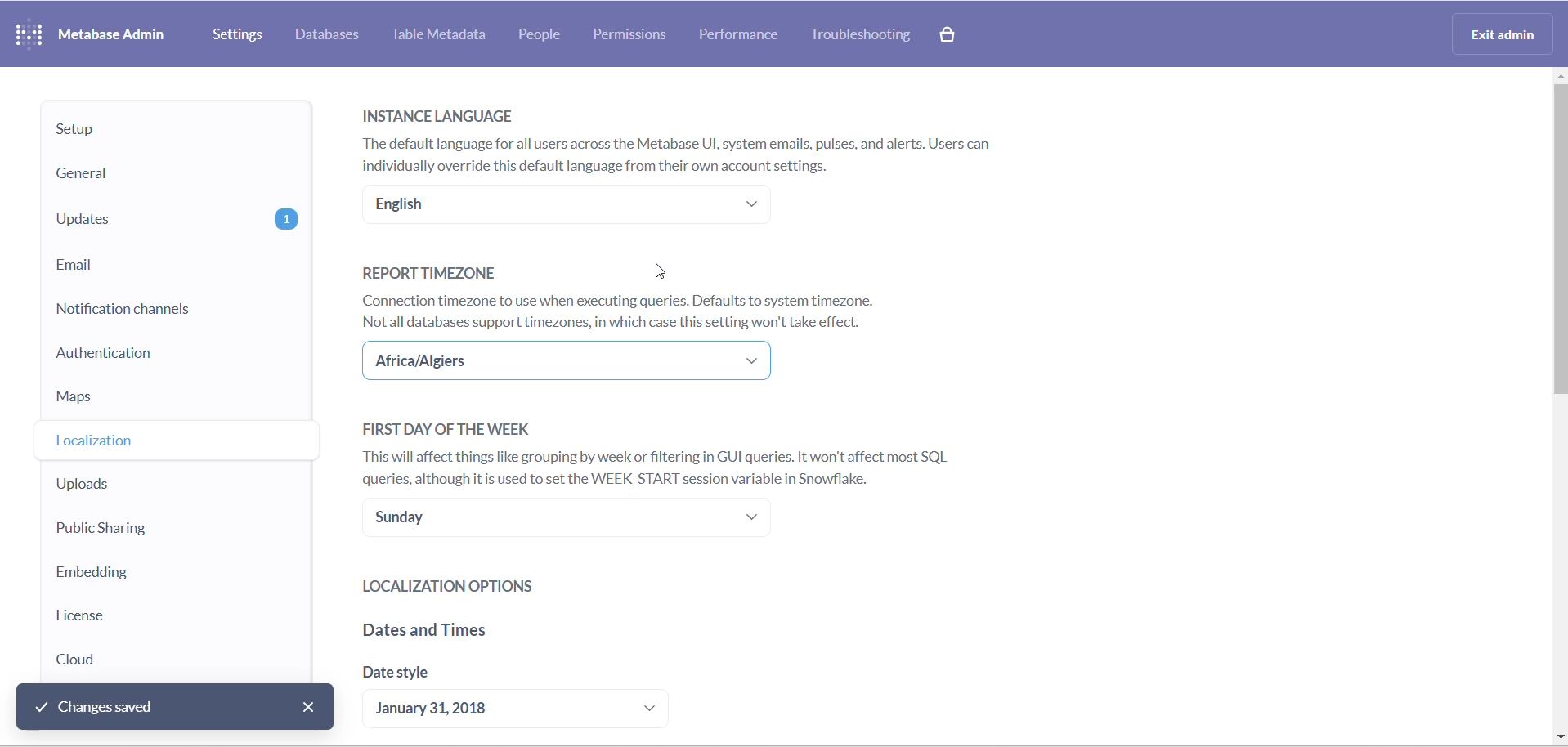 The width and height of the screenshot is (1568, 747). I want to click on PERMISSIONS, so click(635, 36).